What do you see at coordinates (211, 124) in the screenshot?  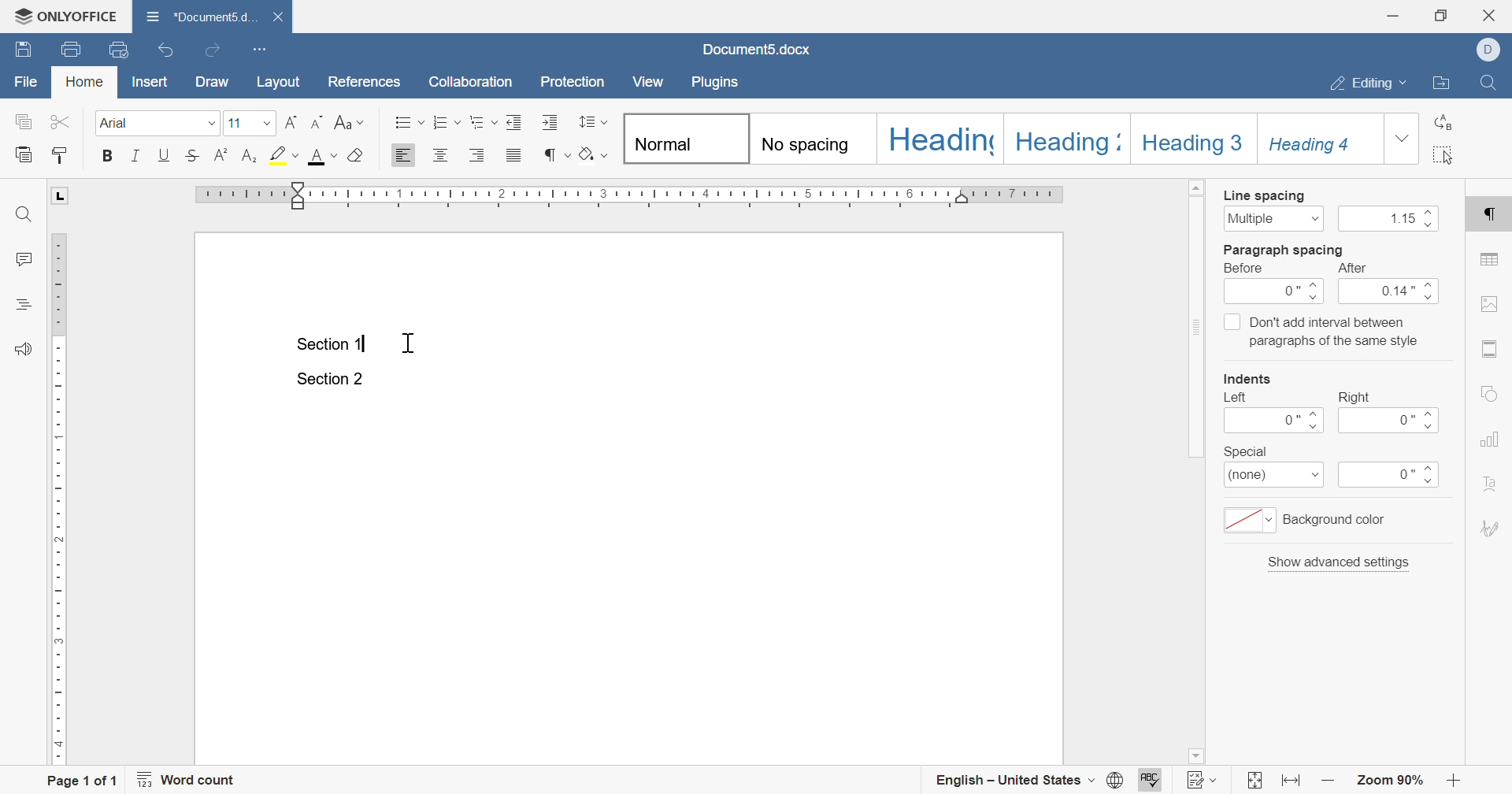 I see `drop down` at bounding box center [211, 124].